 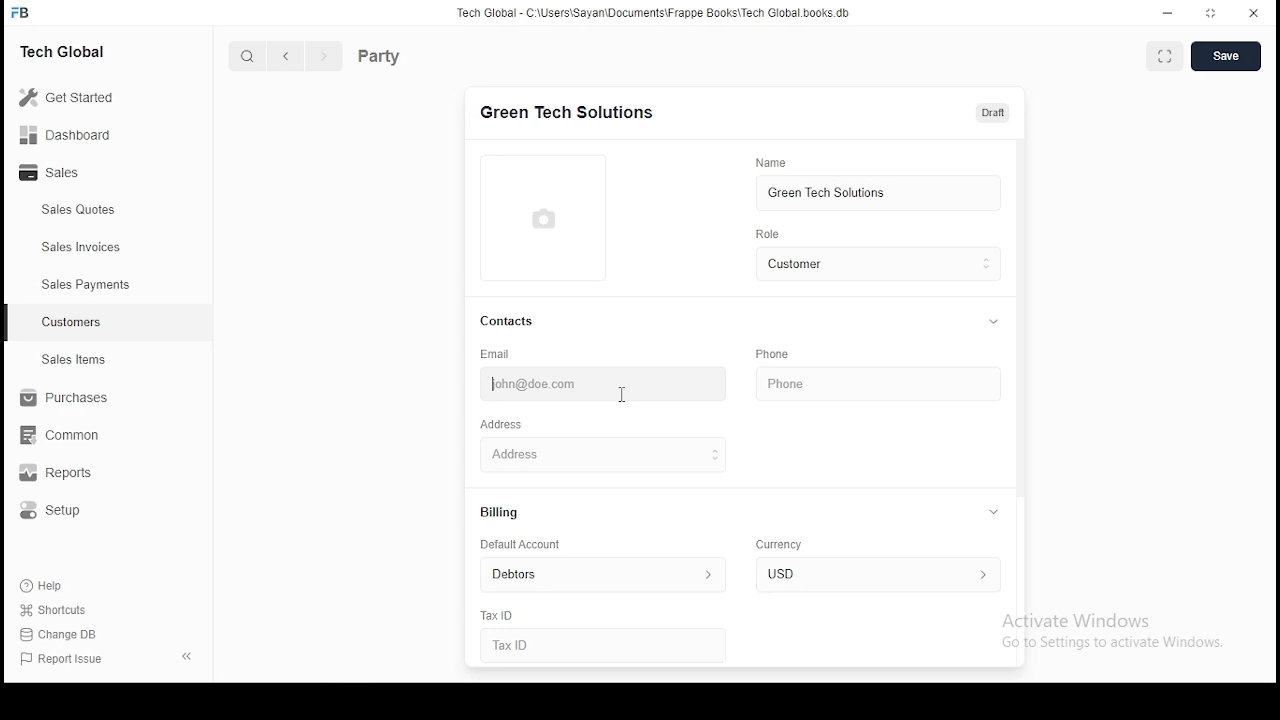 What do you see at coordinates (80, 247) in the screenshot?
I see `sales invoices` at bounding box center [80, 247].